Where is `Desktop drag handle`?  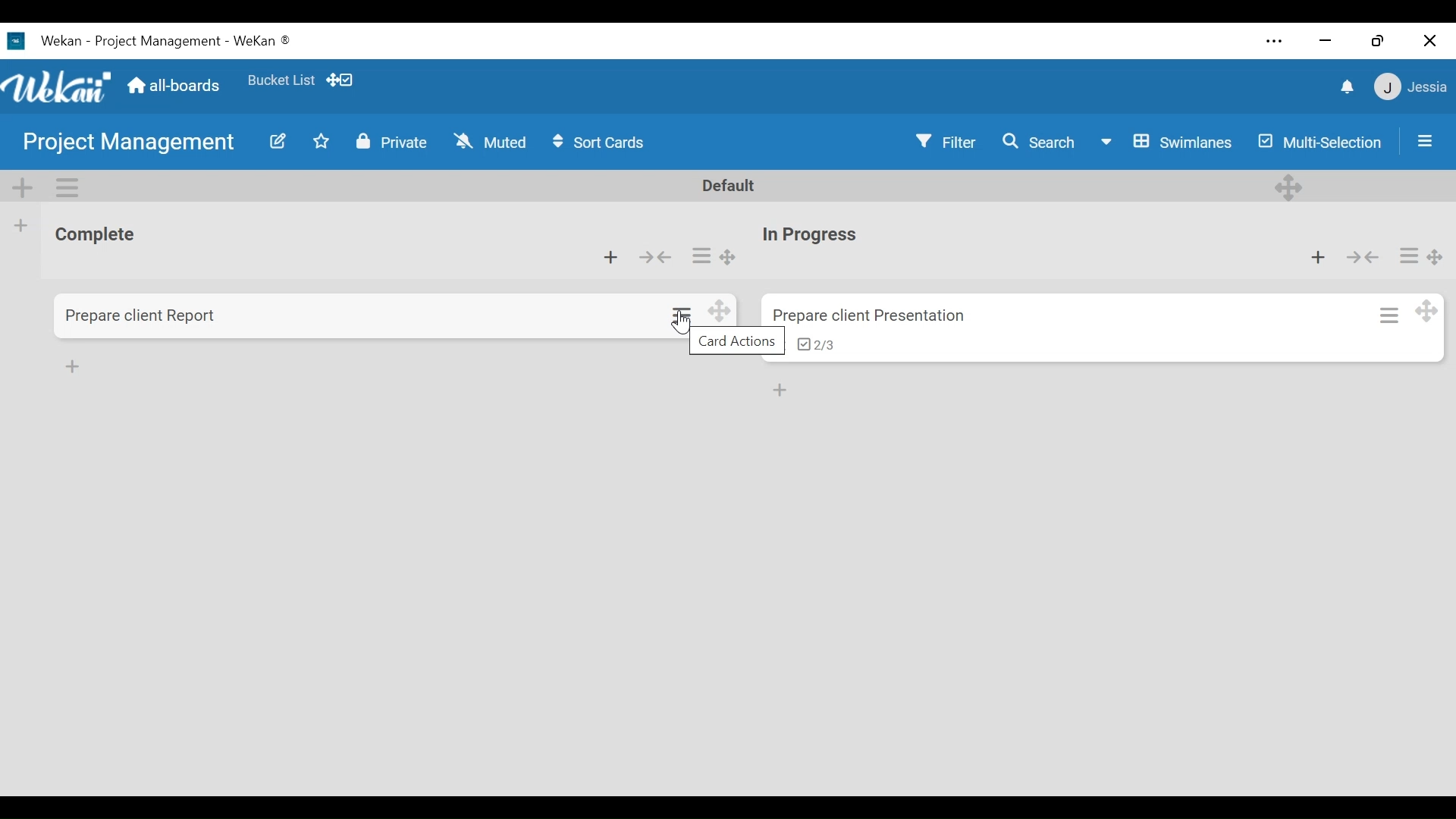 Desktop drag handle is located at coordinates (1436, 256).